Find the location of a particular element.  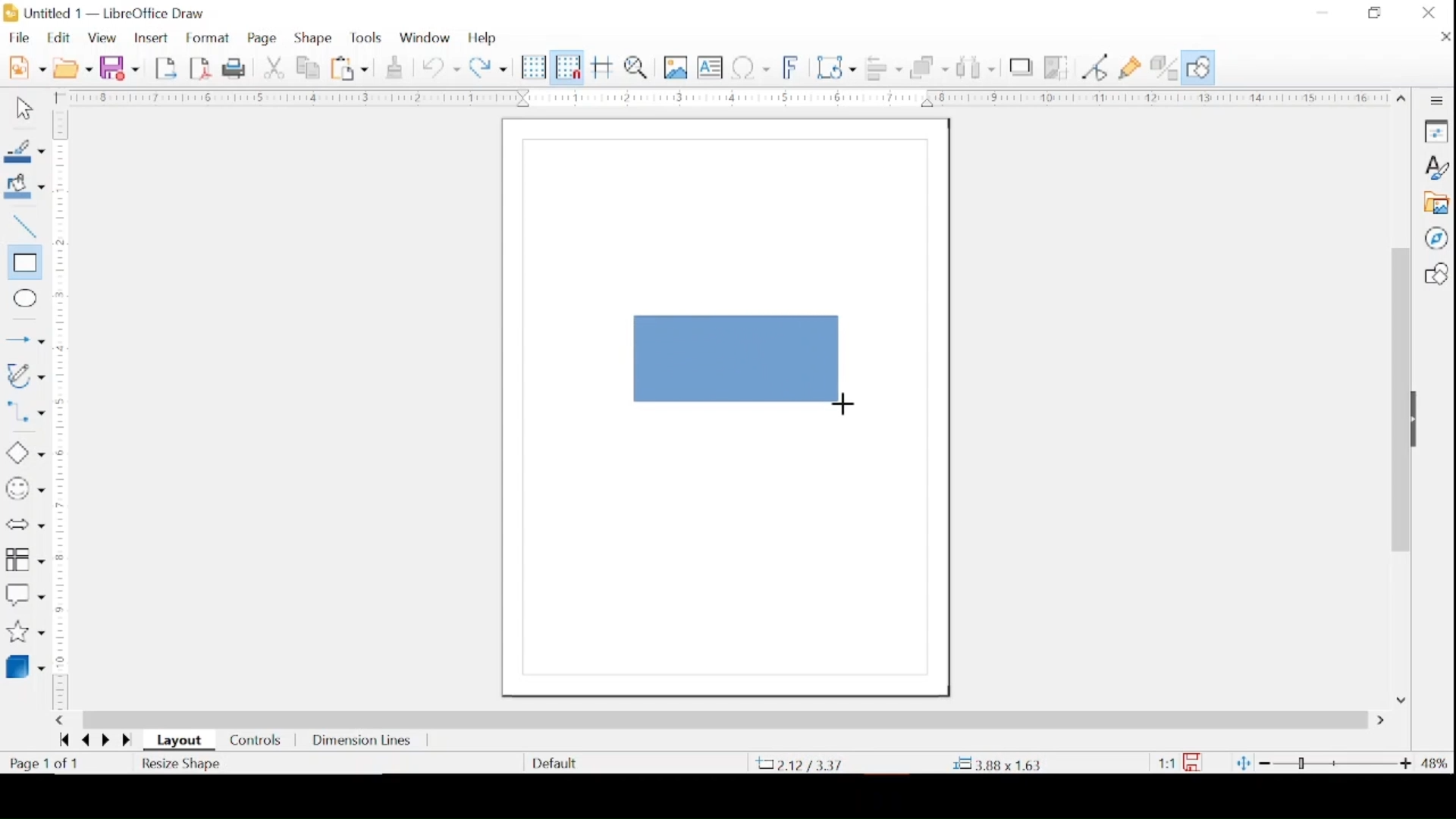

scroll left arrow is located at coordinates (59, 720).